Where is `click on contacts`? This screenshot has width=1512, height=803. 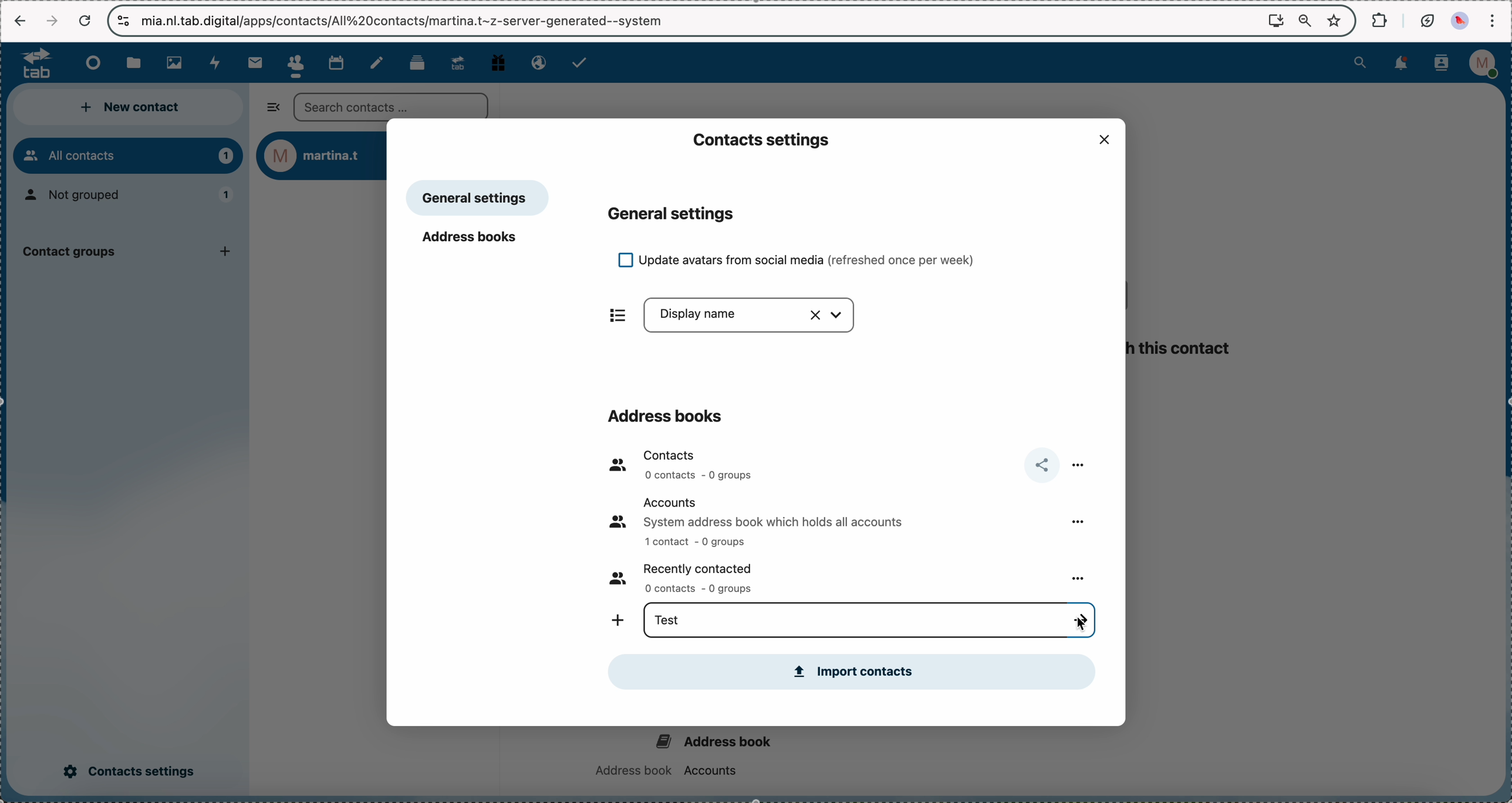 click on contacts is located at coordinates (294, 63).